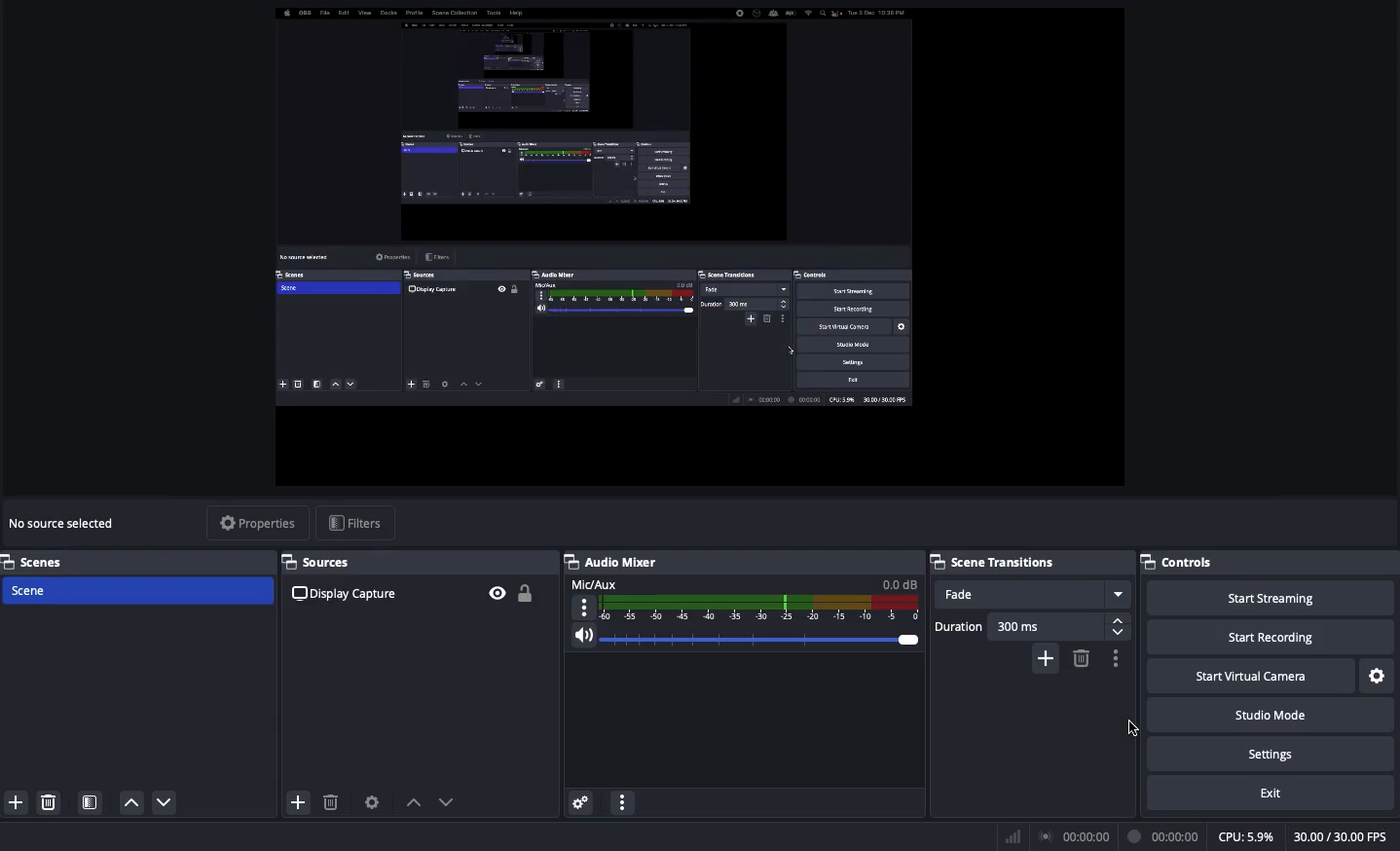 This screenshot has width=1400, height=851. What do you see at coordinates (1344, 837) in the screenshot?
I see `FPS` at bounding box center [1344, 837].